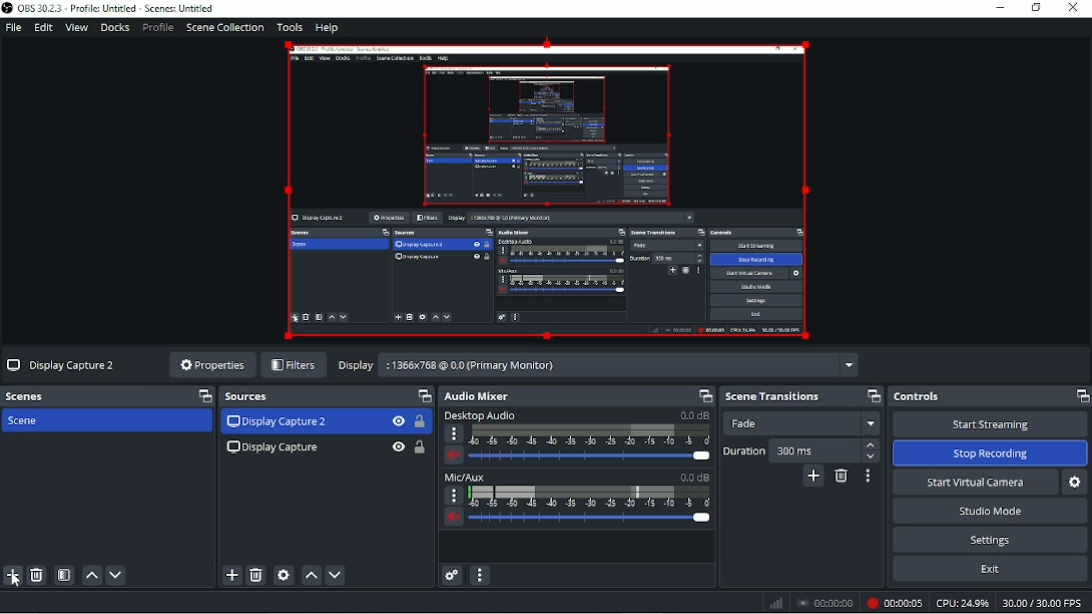 This screenshot has width=1092, height=614. Describe the element at coordinates (64, 575) in the screenshot. I see `Open scene filters` at that location.